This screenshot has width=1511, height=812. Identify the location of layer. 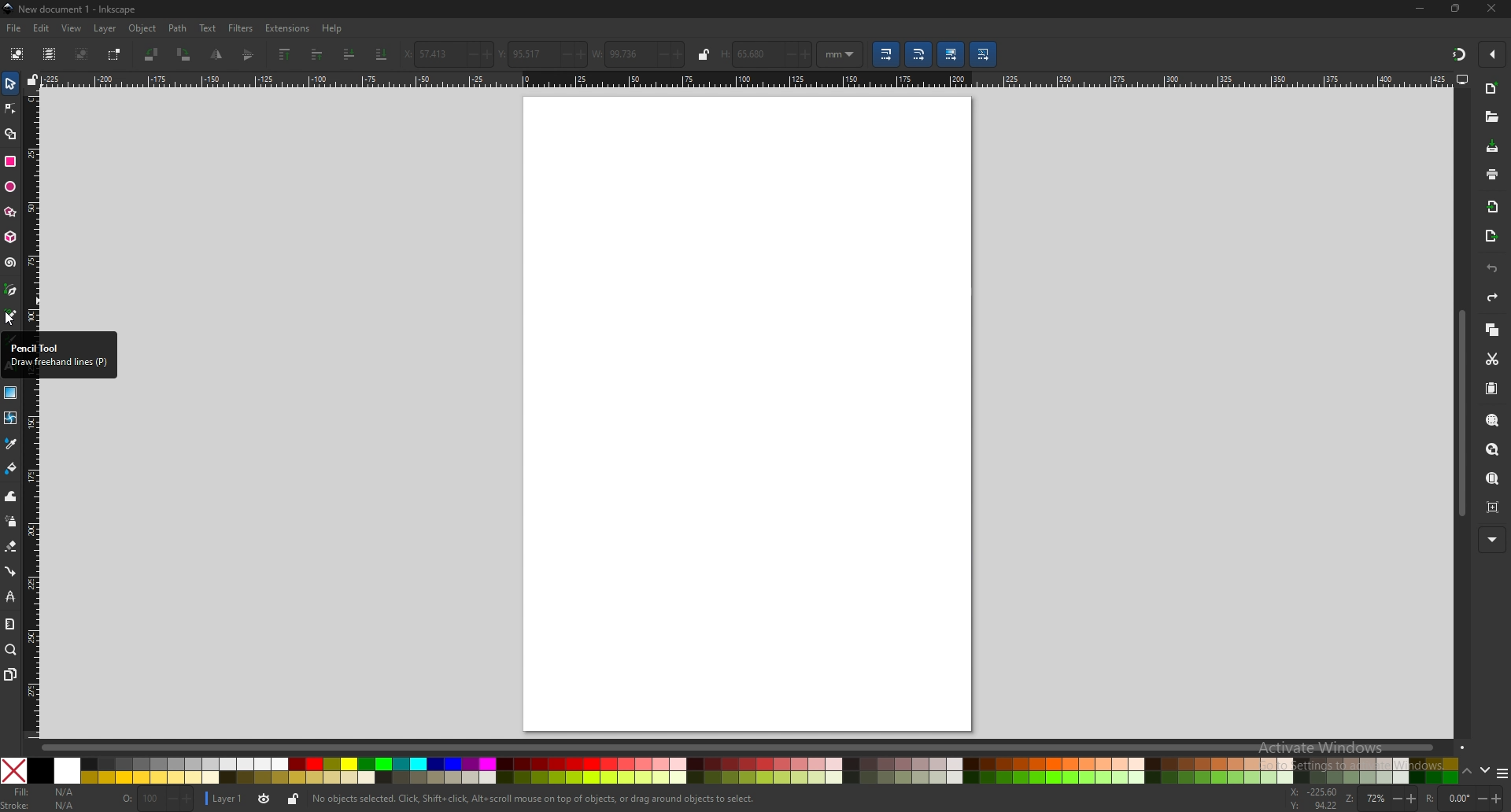
(106, 29).